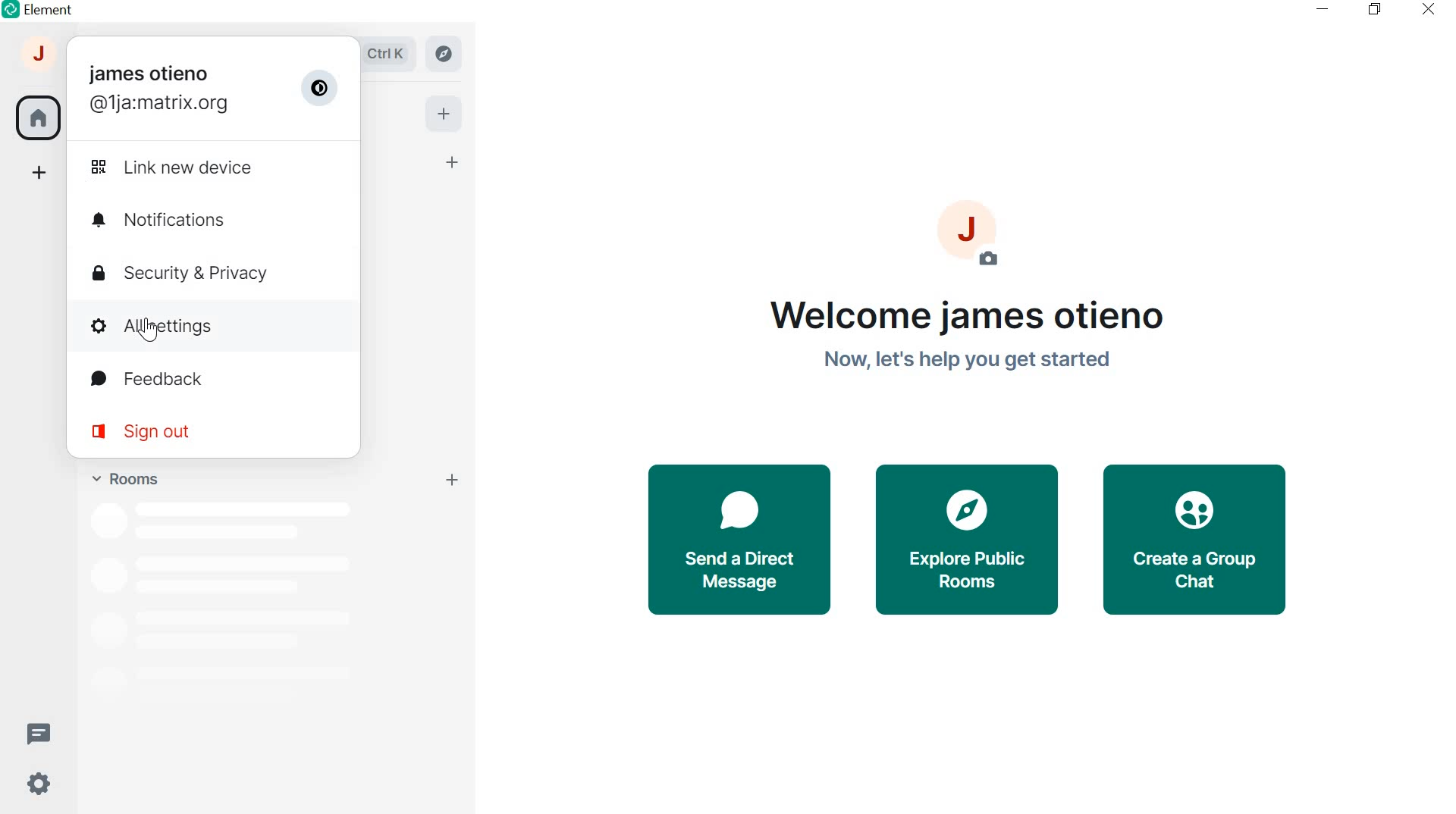  What do you see at coordinates (1424, 8) in the screenshot?
I see `CLOSE` at bounding box center [1424, 8].